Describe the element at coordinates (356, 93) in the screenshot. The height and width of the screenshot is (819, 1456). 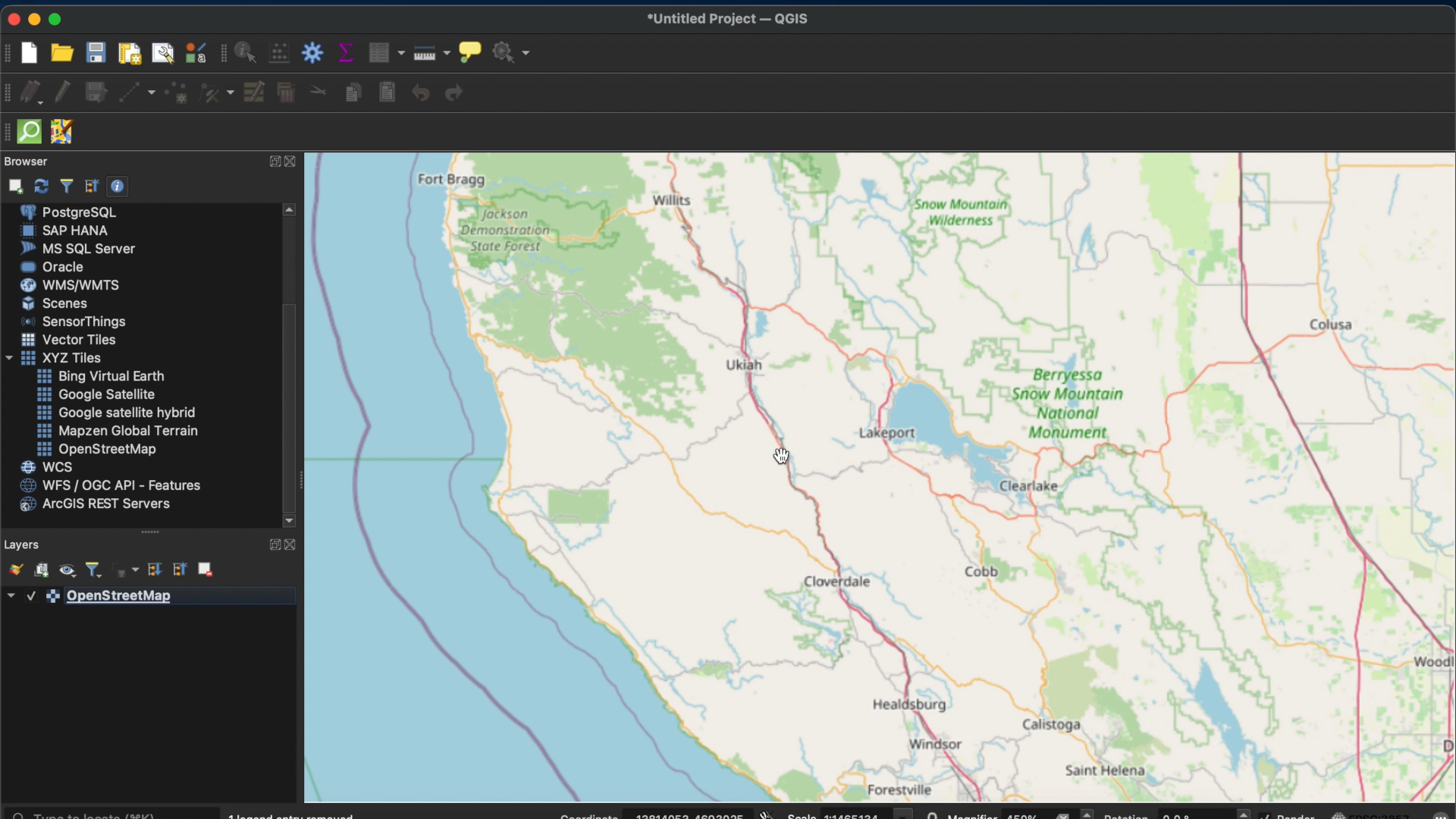
I see `copy features` at that location.